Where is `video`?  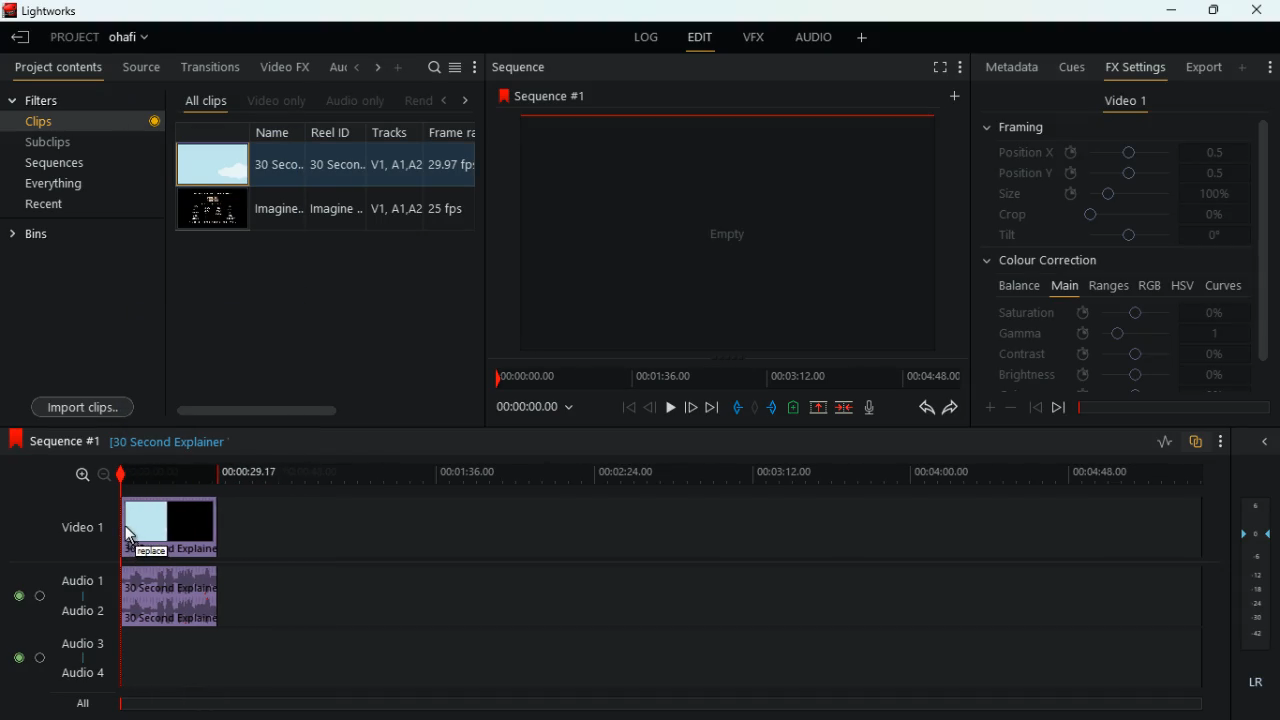 video is located at coordinates (724, 230).